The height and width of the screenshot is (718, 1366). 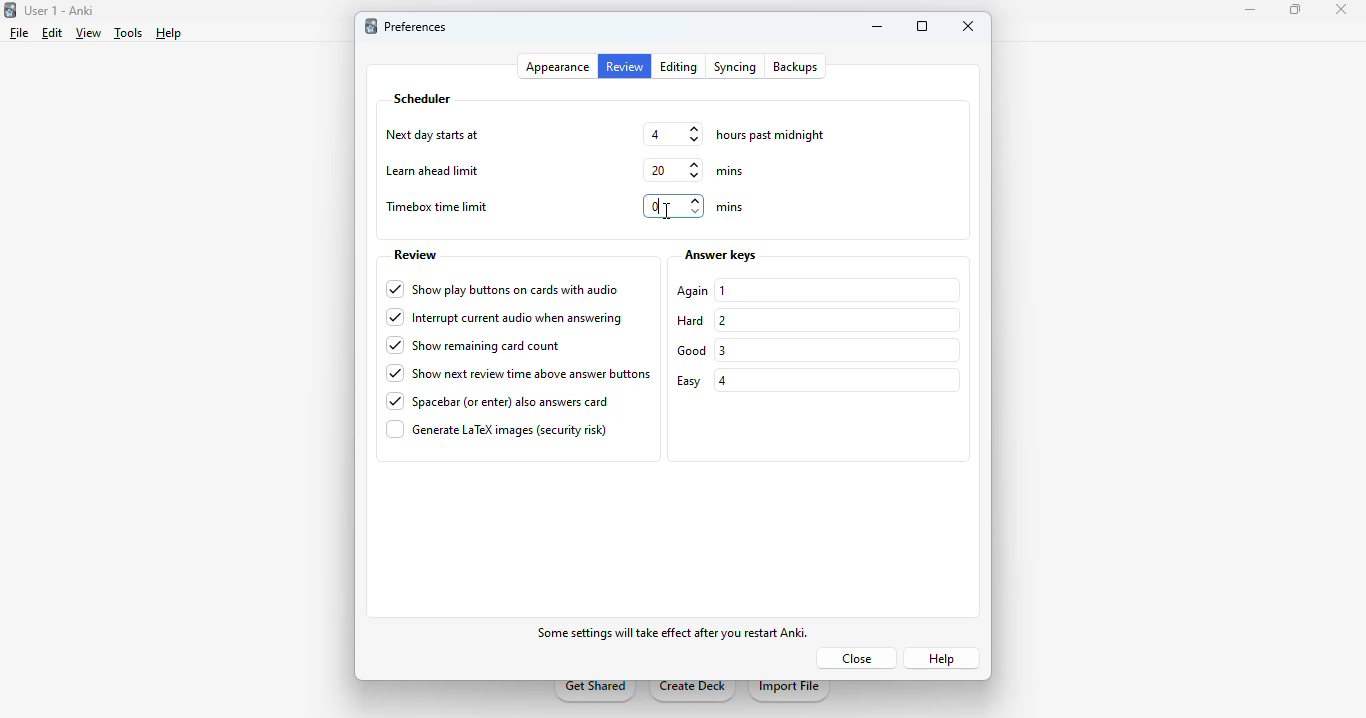 What do you see at coordinates (674, 134) in the screenshot?
I see `4` at bounding box center [674, 134].